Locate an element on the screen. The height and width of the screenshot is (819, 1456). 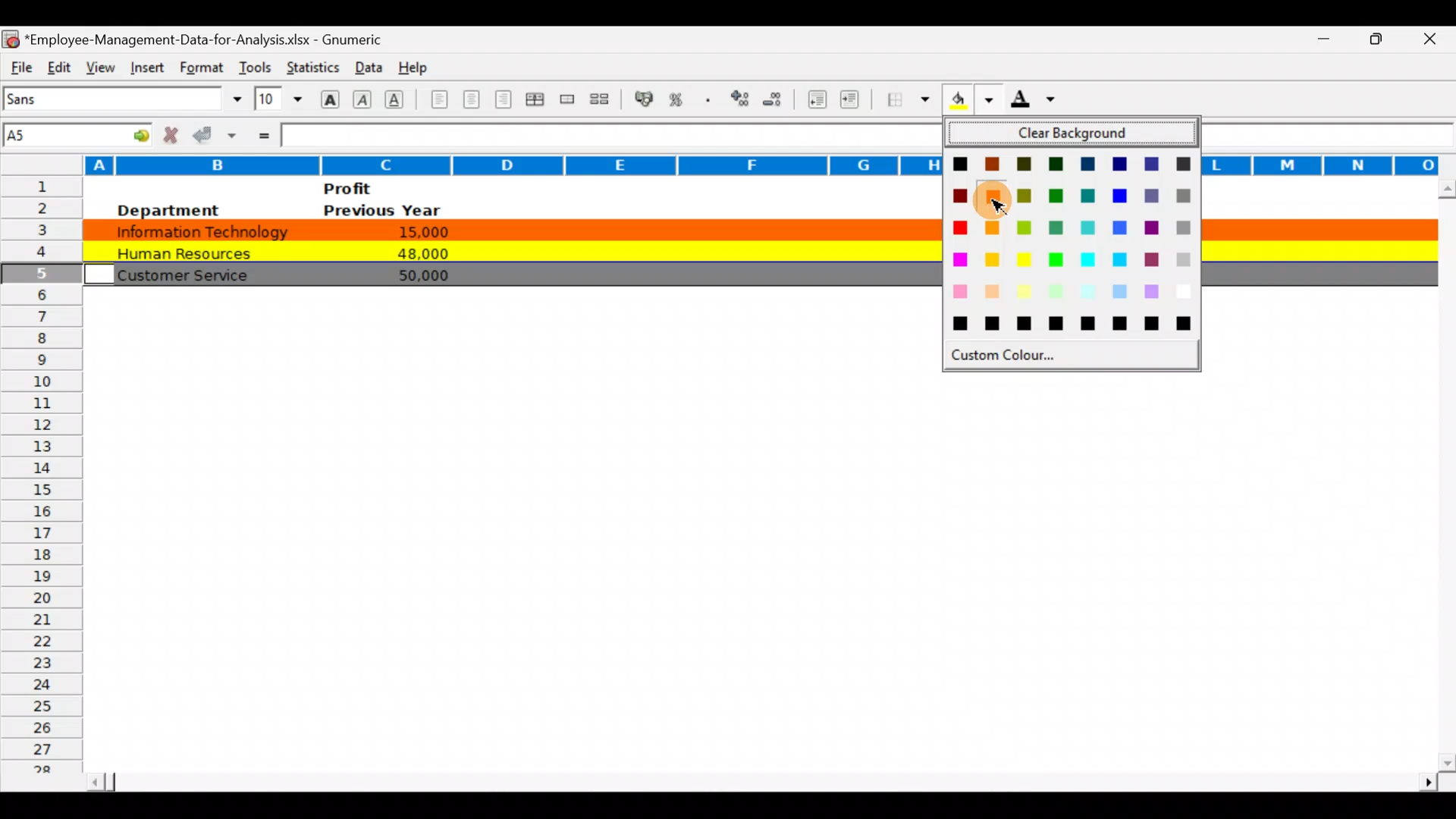
Clear background is located at coordinates (1073, 134).